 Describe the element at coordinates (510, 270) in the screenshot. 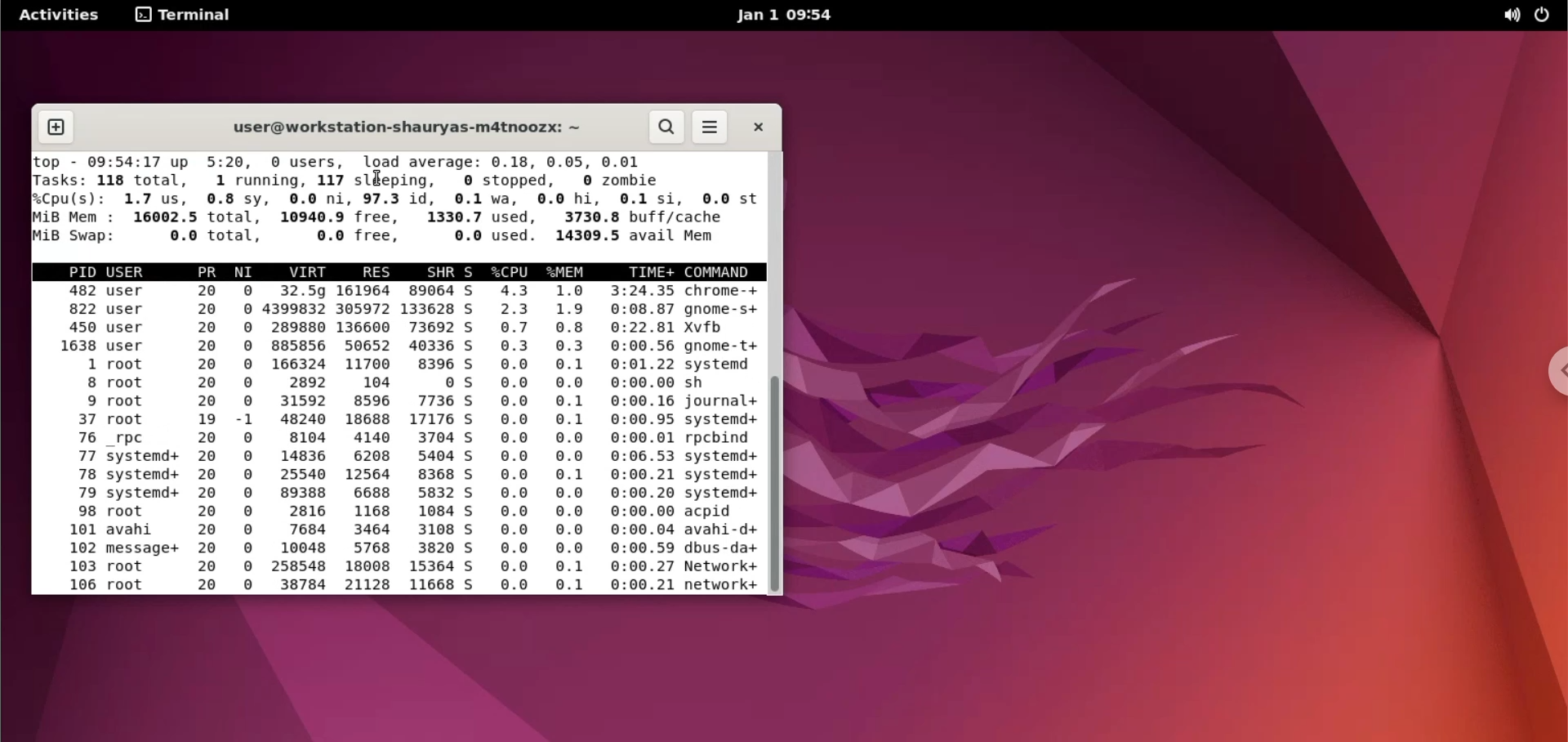

I see `CPU` at that location.